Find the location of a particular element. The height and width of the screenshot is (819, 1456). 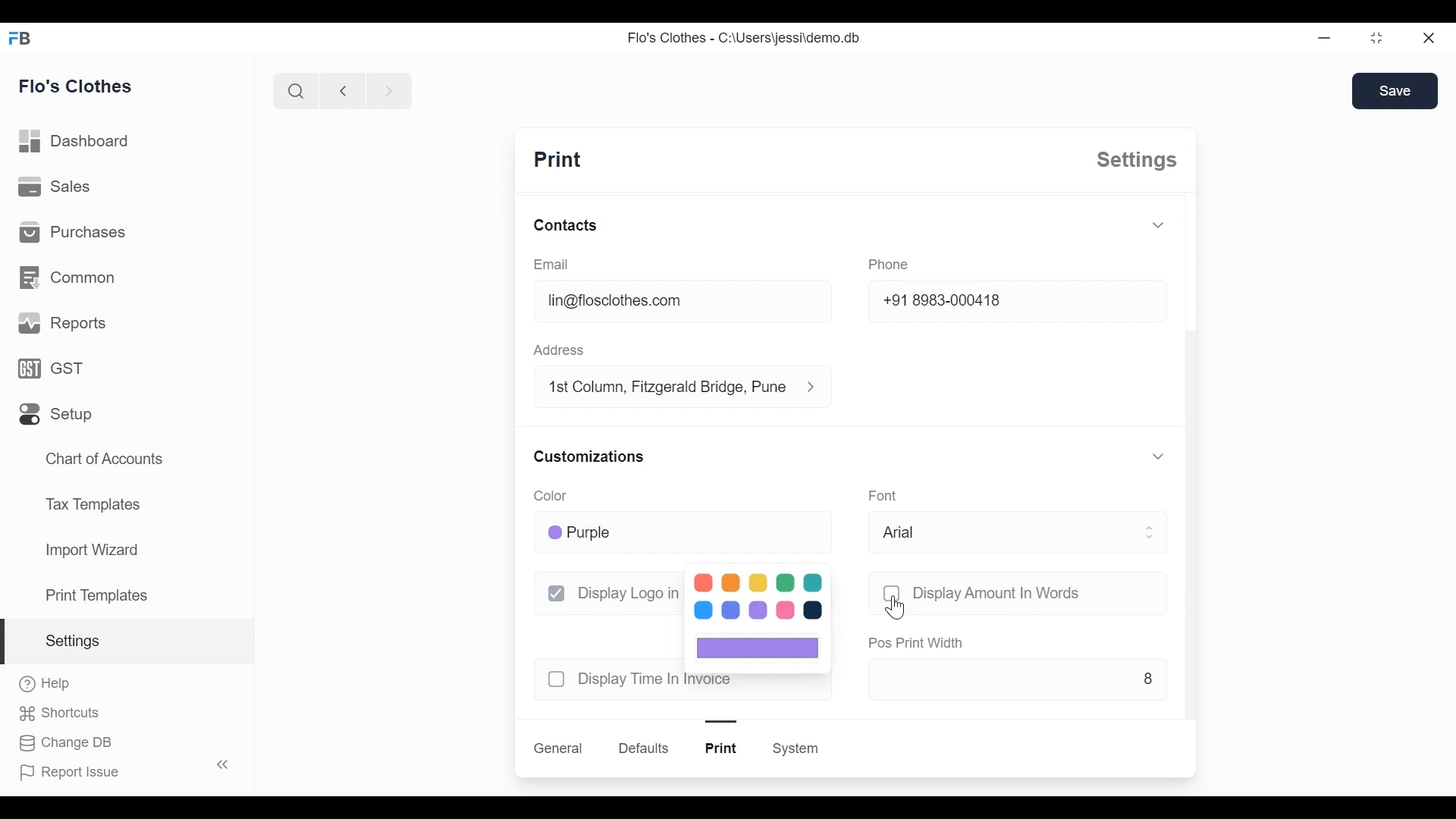

scroll bar is located at coordinates (1191, 482).